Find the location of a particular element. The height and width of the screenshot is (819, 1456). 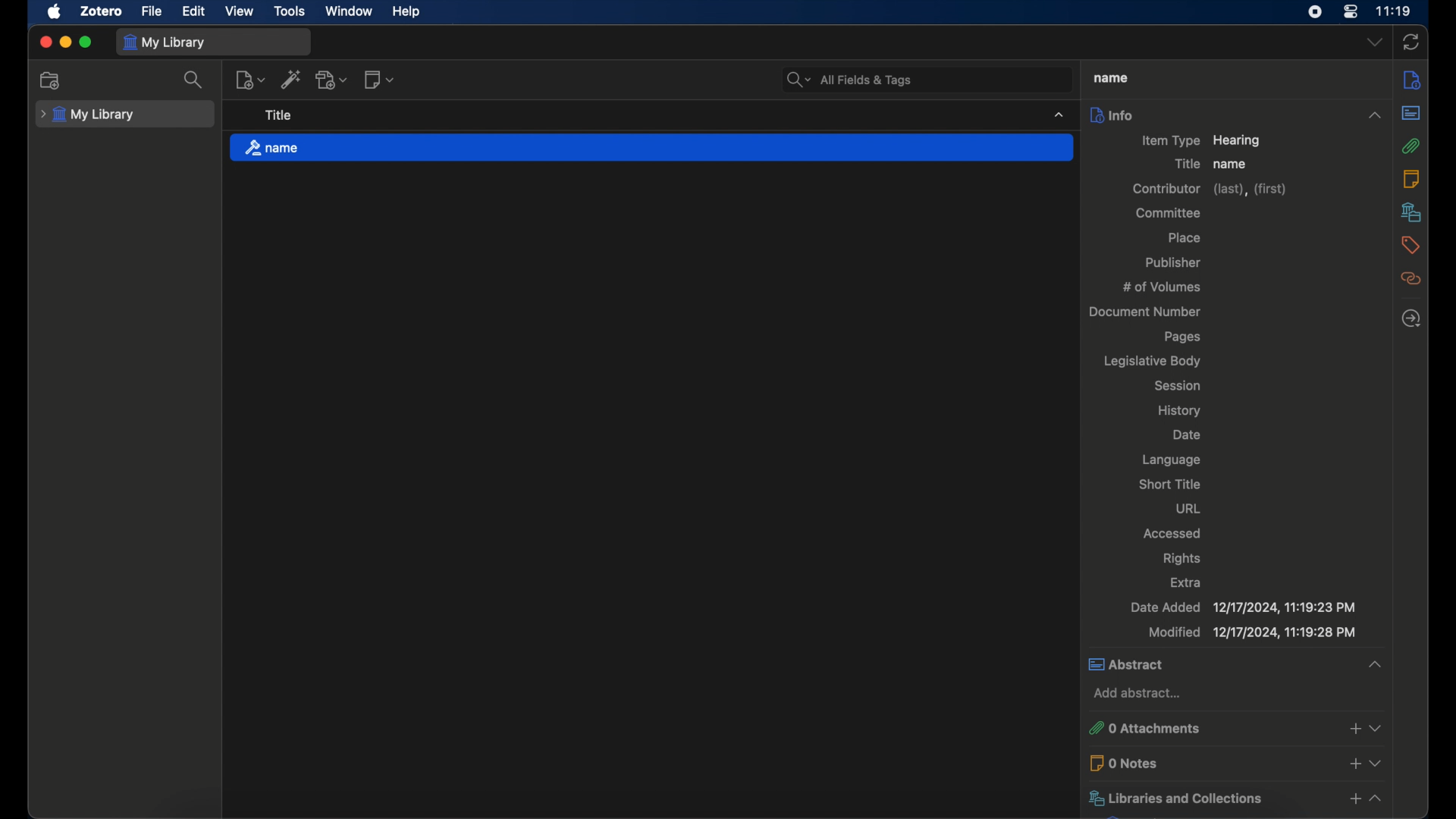

accessed is located at coordinates (1174, 532).